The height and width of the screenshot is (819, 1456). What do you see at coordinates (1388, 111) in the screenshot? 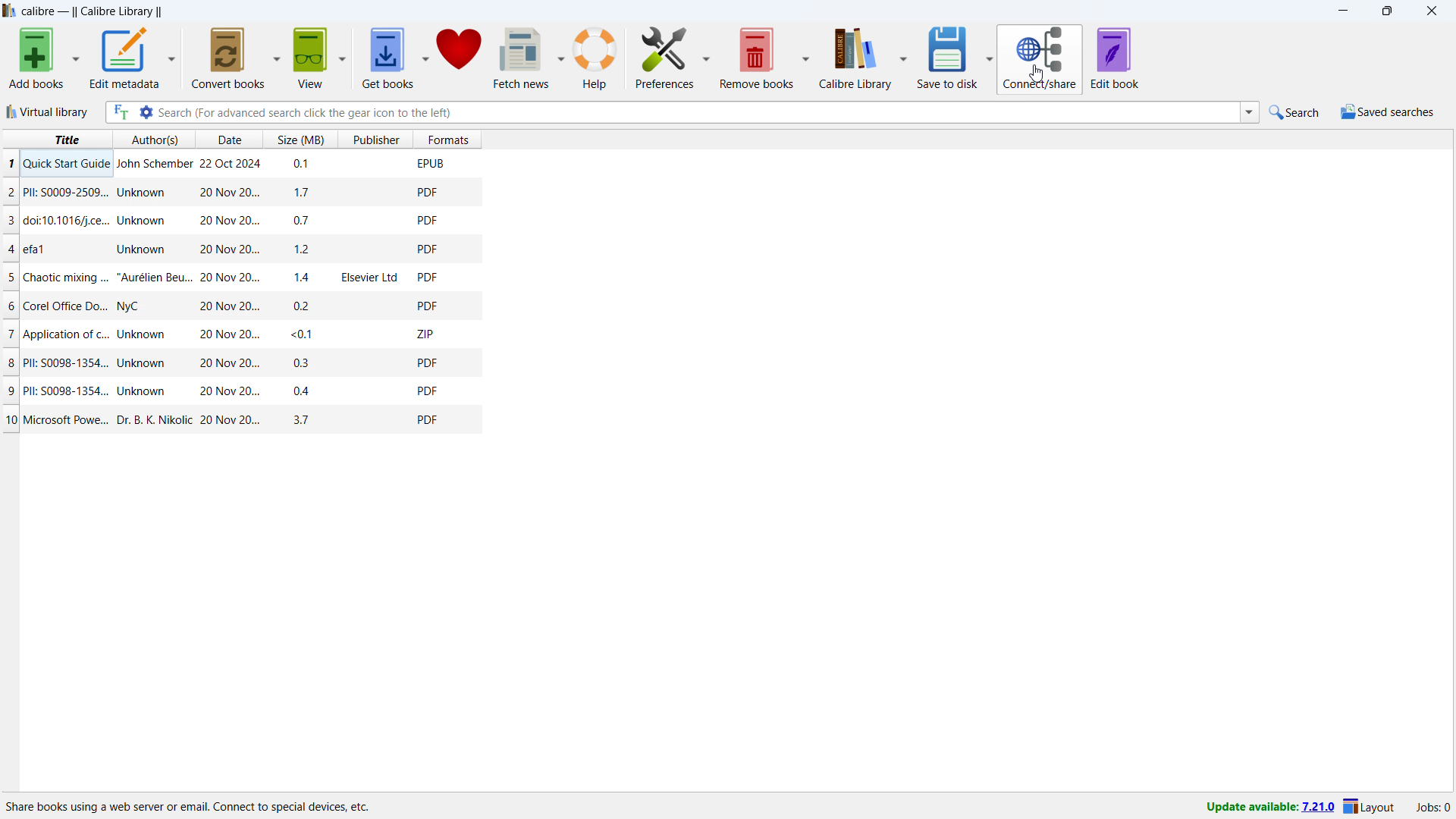
I see `saved searches` at bounding box center [1388, 111].